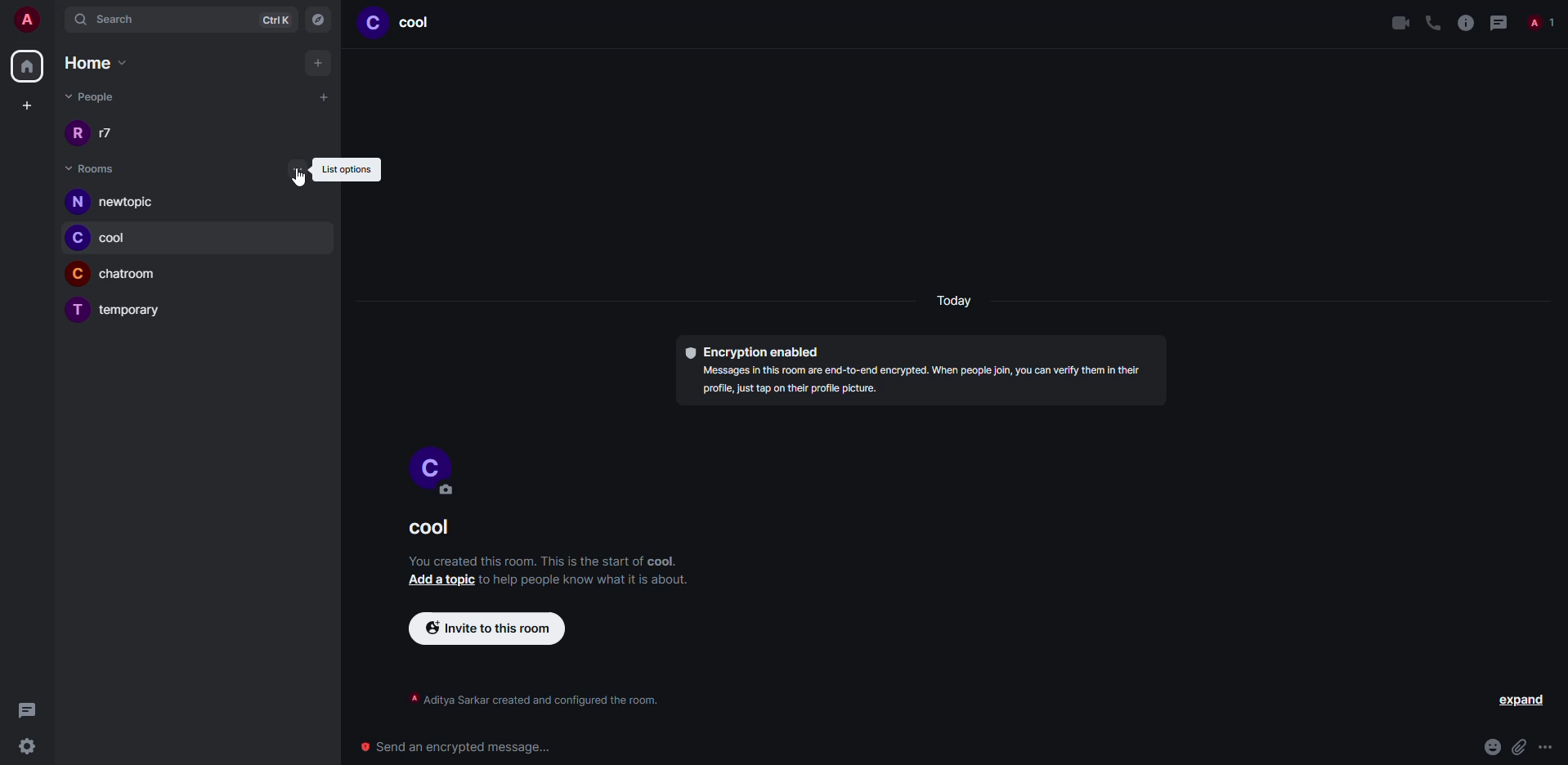 The width and height of the screenshot is (1568, 765). I want to click on add a topic, so click(441, 579).